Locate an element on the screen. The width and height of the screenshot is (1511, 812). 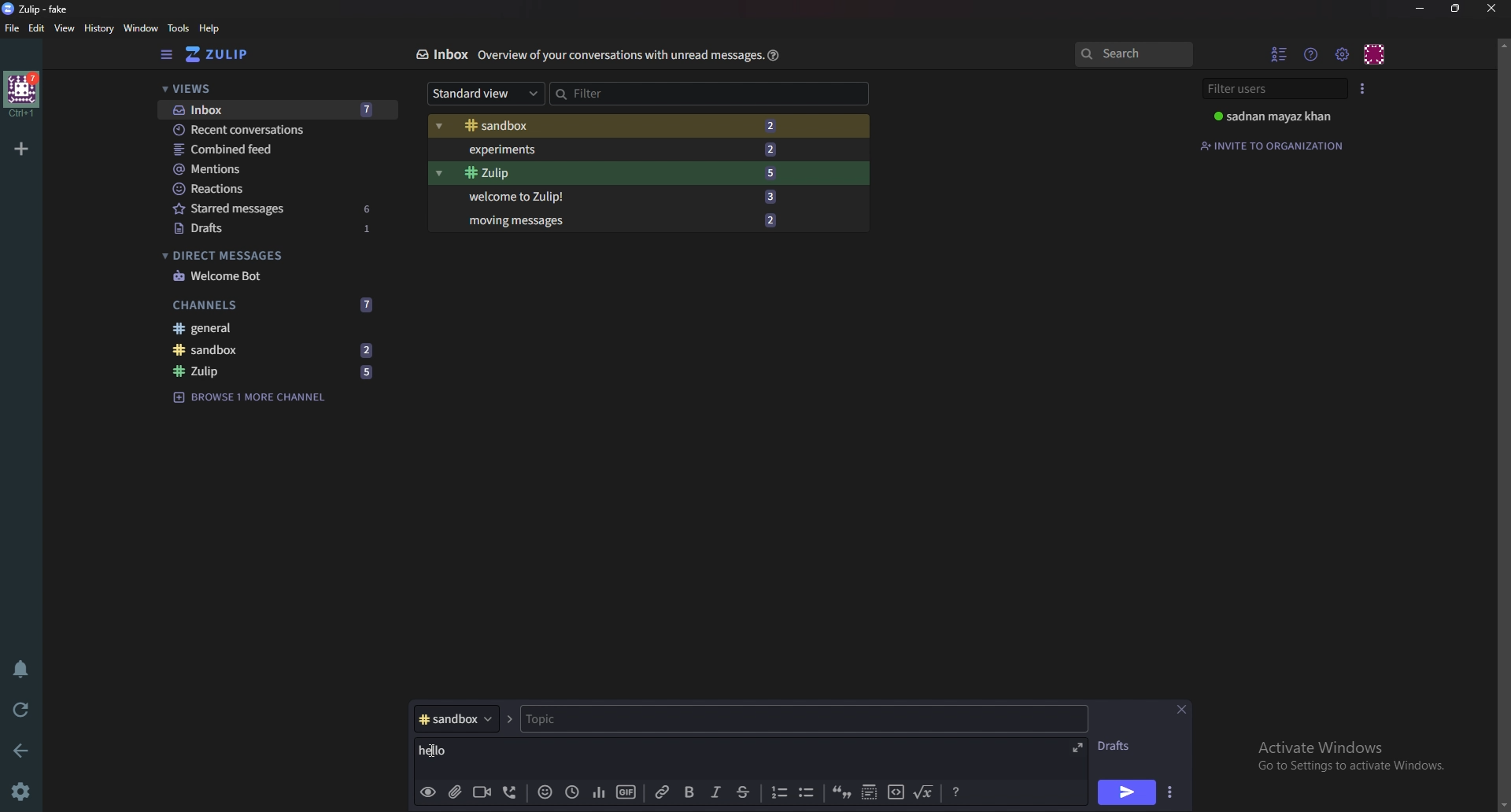
Help is located at coordinates (213, 28).